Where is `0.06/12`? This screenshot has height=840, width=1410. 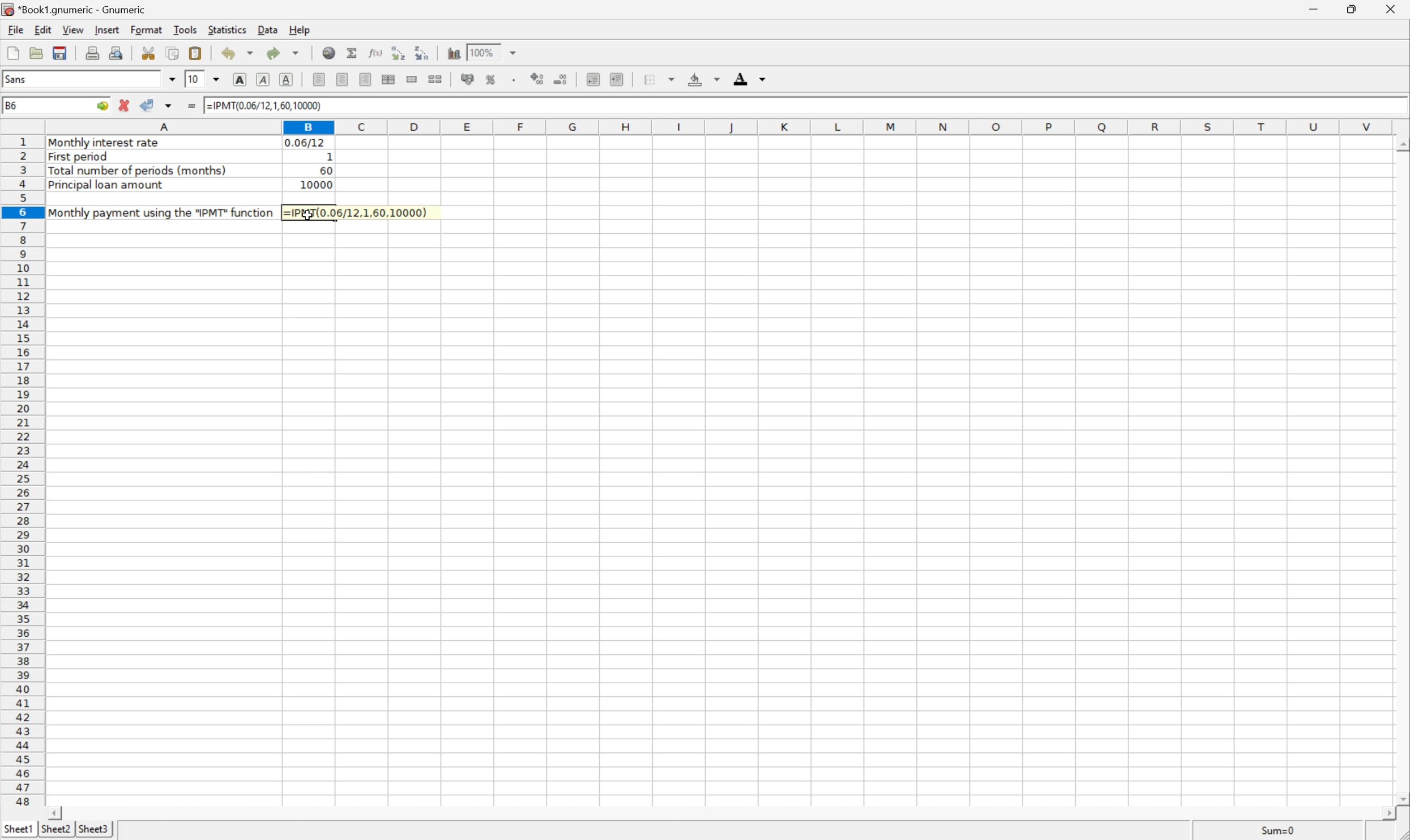
0.06/12 is located at coordinates (306, 142).